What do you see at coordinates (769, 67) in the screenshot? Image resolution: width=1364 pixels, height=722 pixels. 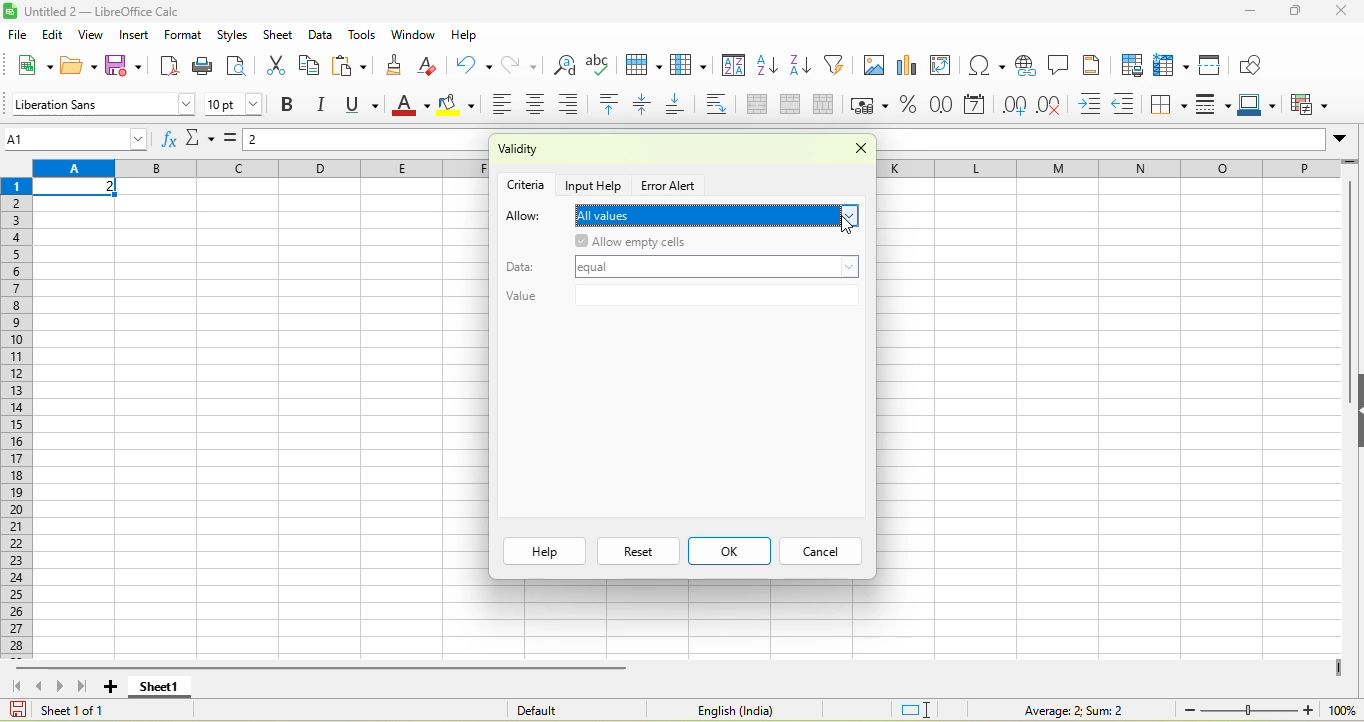 I see `sort ascending` at bounding box center [769, 67].